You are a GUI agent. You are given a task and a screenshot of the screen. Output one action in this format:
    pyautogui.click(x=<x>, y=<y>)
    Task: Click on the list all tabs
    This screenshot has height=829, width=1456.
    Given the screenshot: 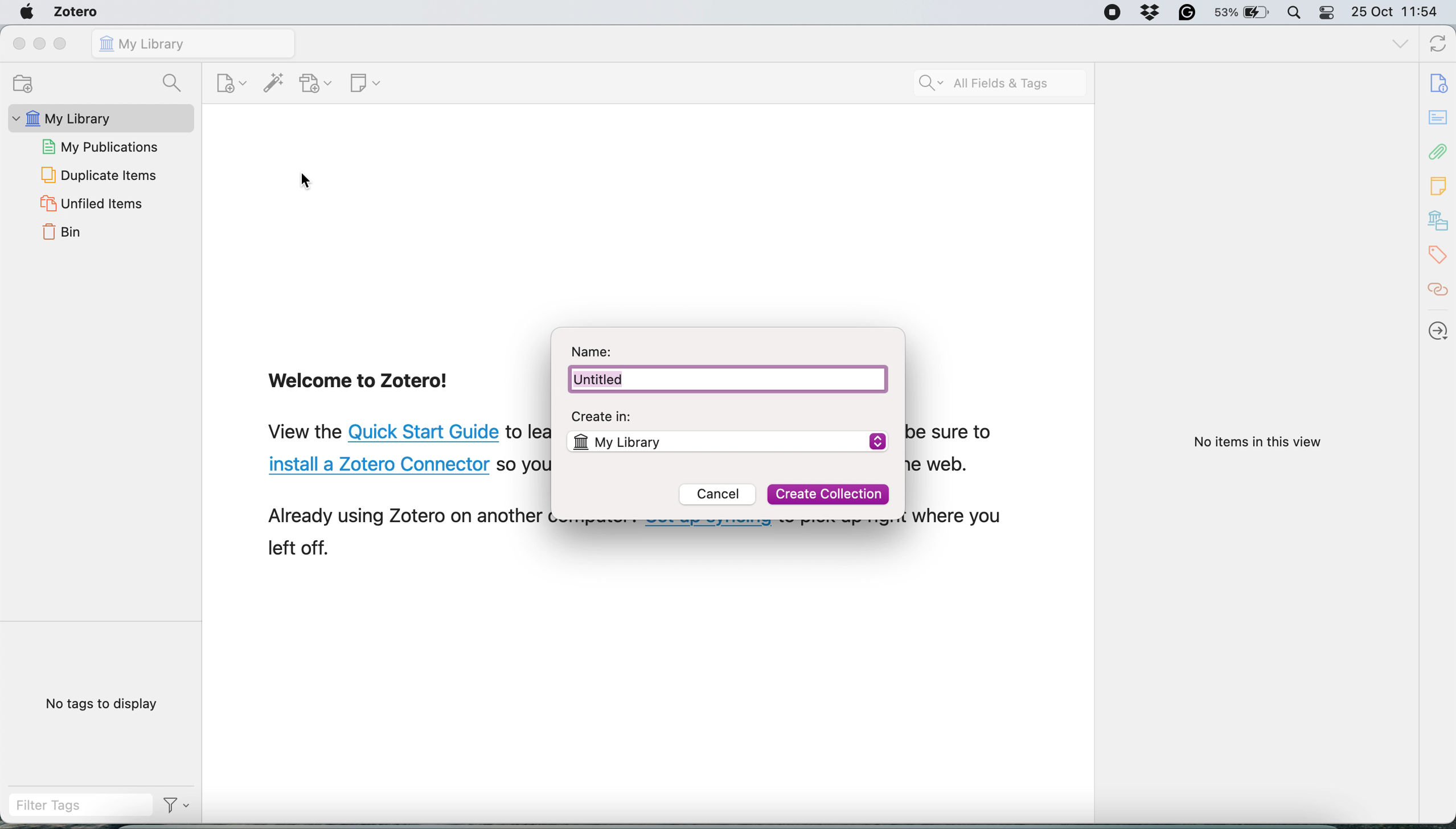 What is the action you would take?
    pyautogui.click(x=1398, y=46)
    